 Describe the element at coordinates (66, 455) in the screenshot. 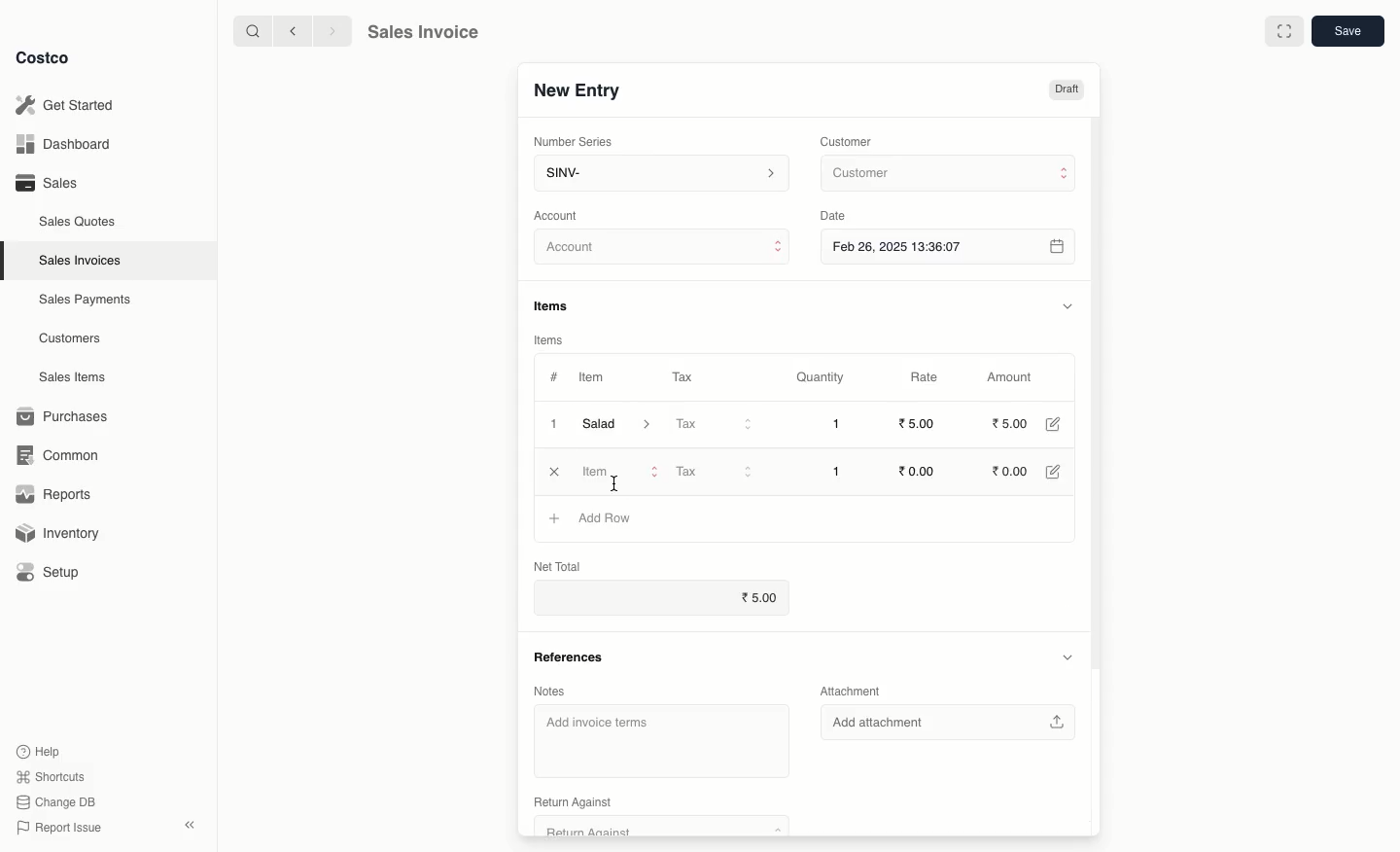

I see `Common` at that location.